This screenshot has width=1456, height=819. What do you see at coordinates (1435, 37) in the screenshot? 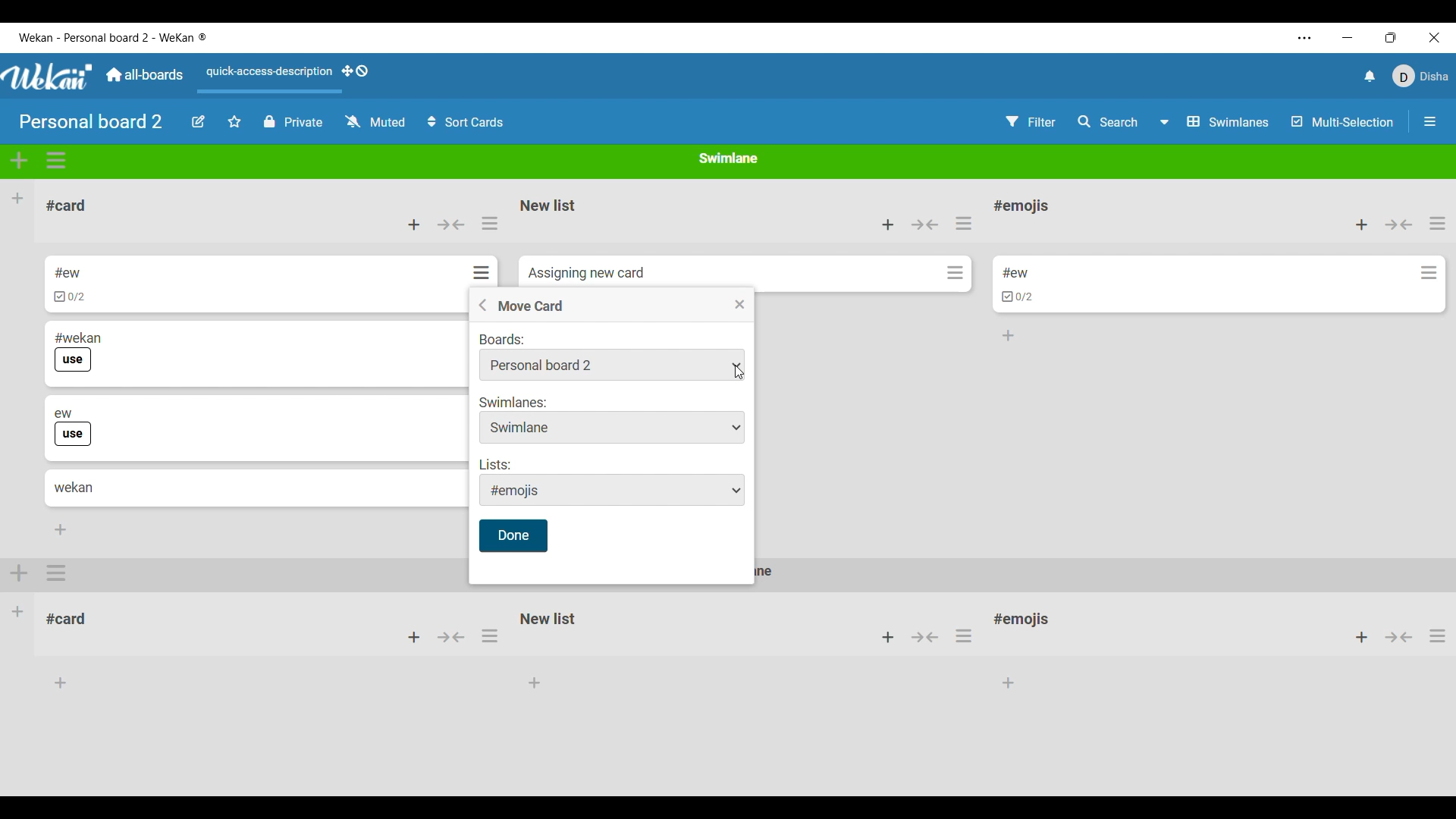
I see `Close interface` at bounding box center [1435, 37].